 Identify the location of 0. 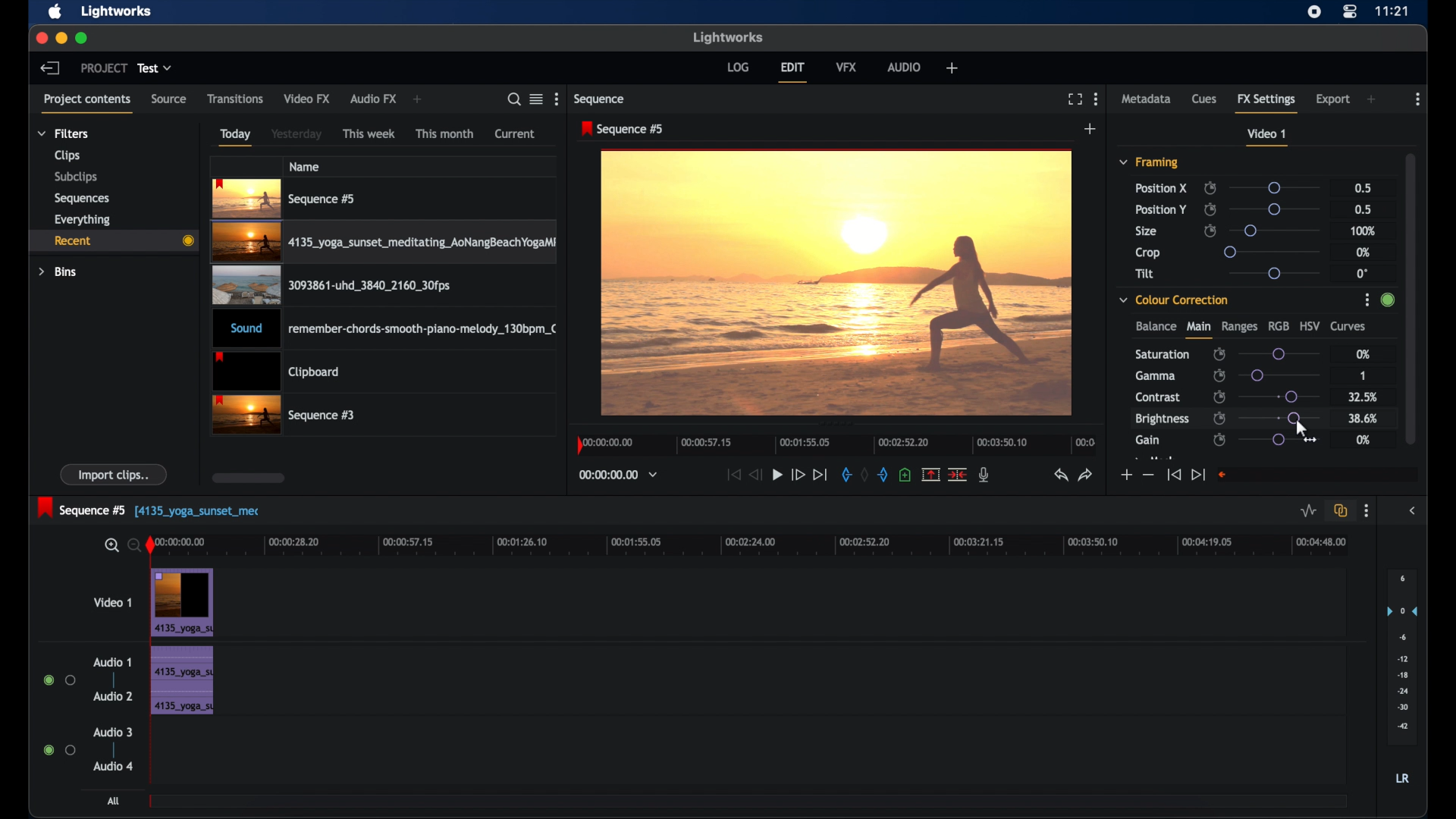
(1362, 274).